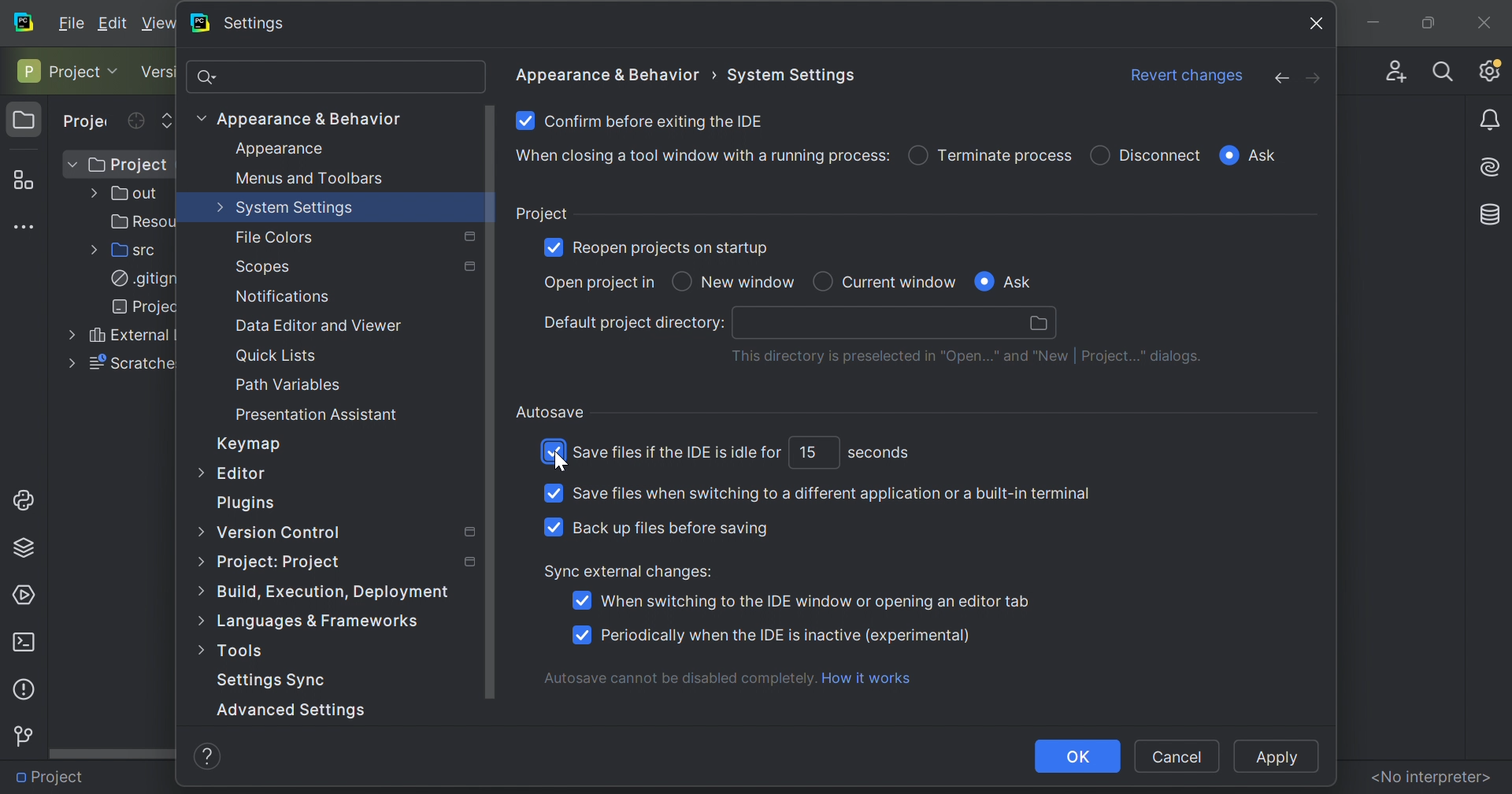 This screenshot has height=794, width=1512. Describe the element at coordinates (821, 280) in the screenshot. I see `Checkbox` at that location.